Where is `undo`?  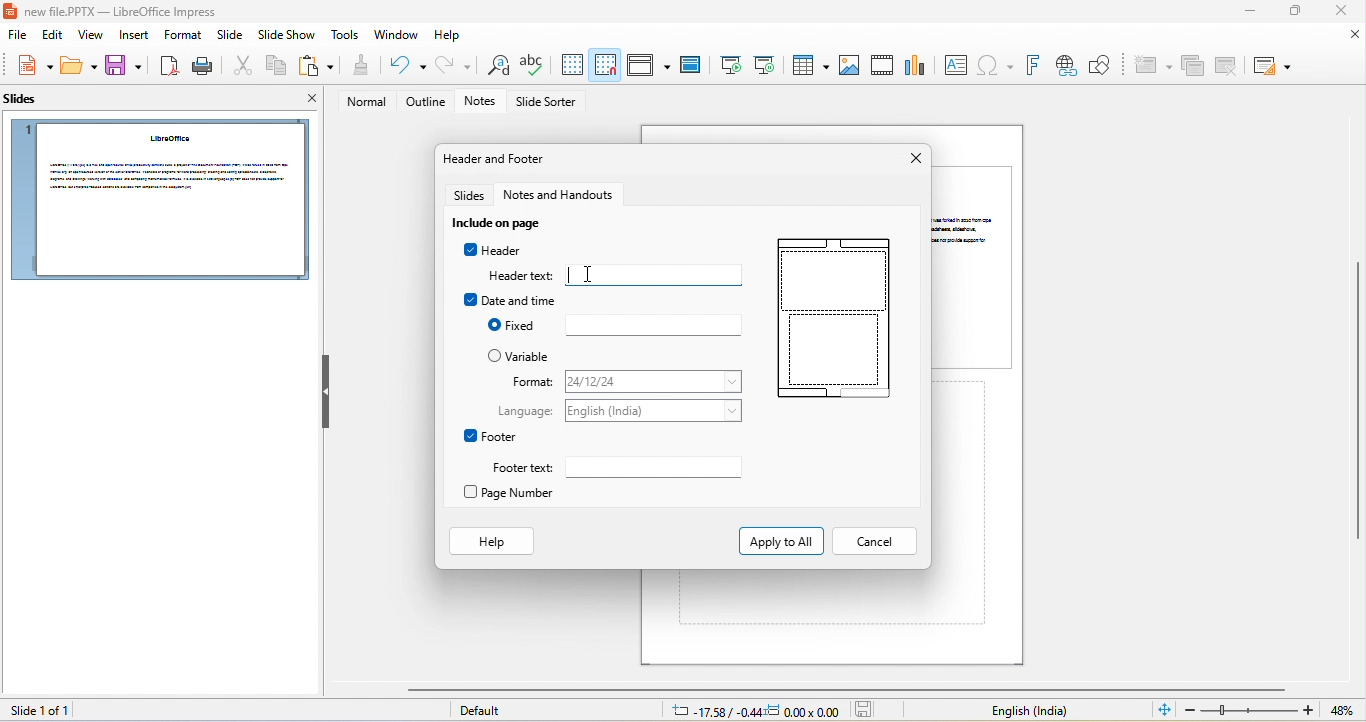 undo is located at coordinates (403, 66).